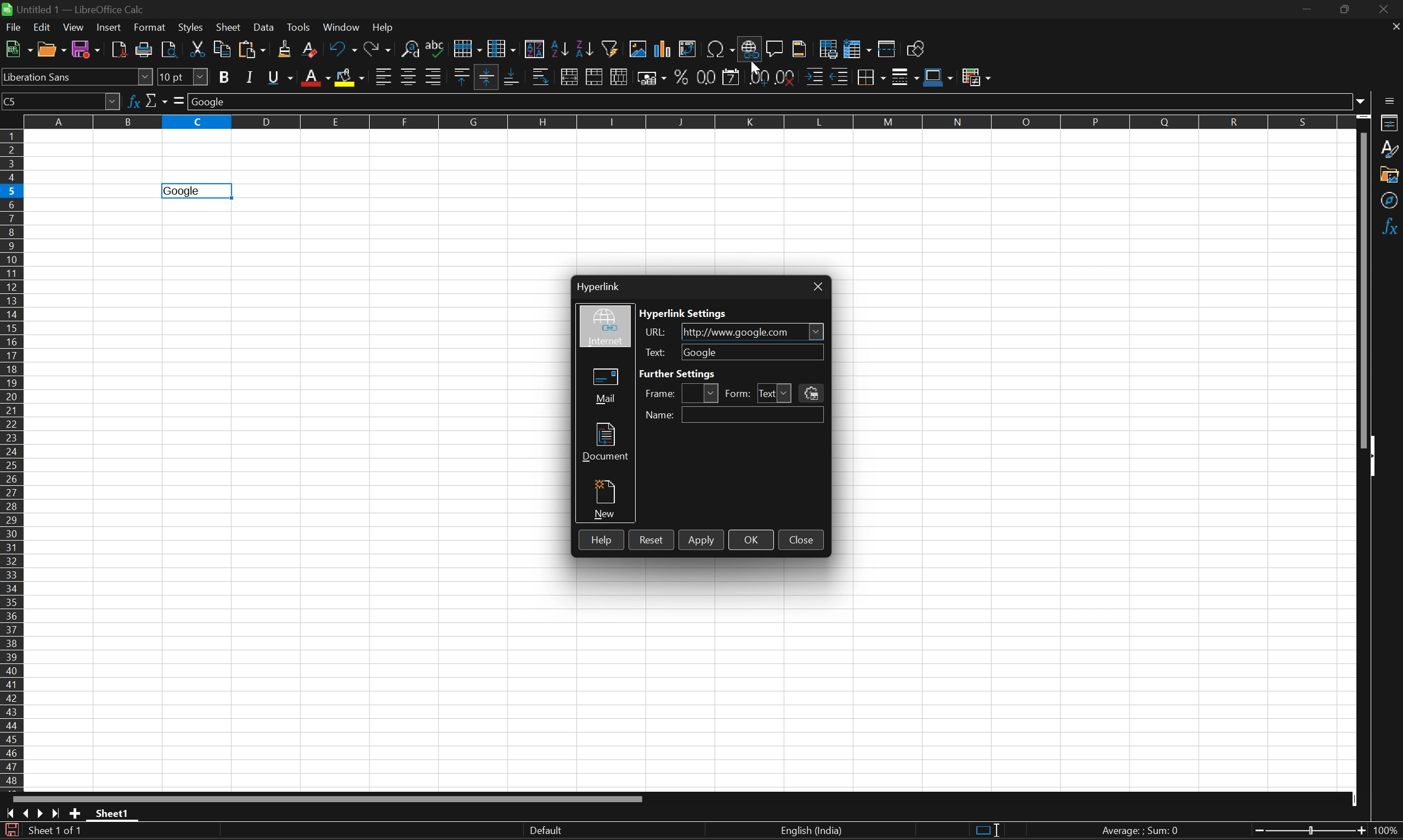  What do you see at coordinates (39, 814) in the screenshot?
I see `Scroll to next sheet` at bounding box center [39, 814].